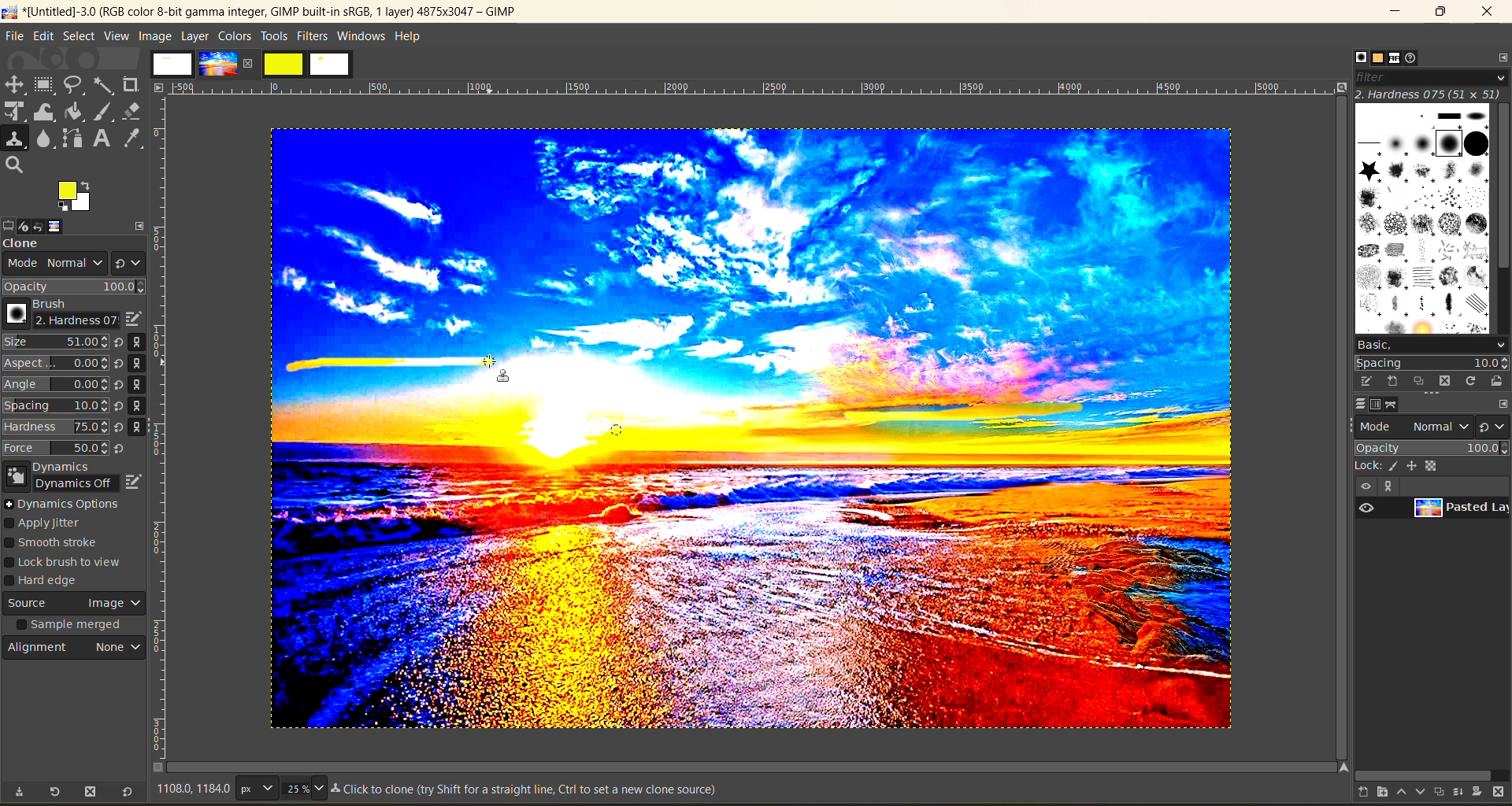  I want to click on images, so click(172, 64).